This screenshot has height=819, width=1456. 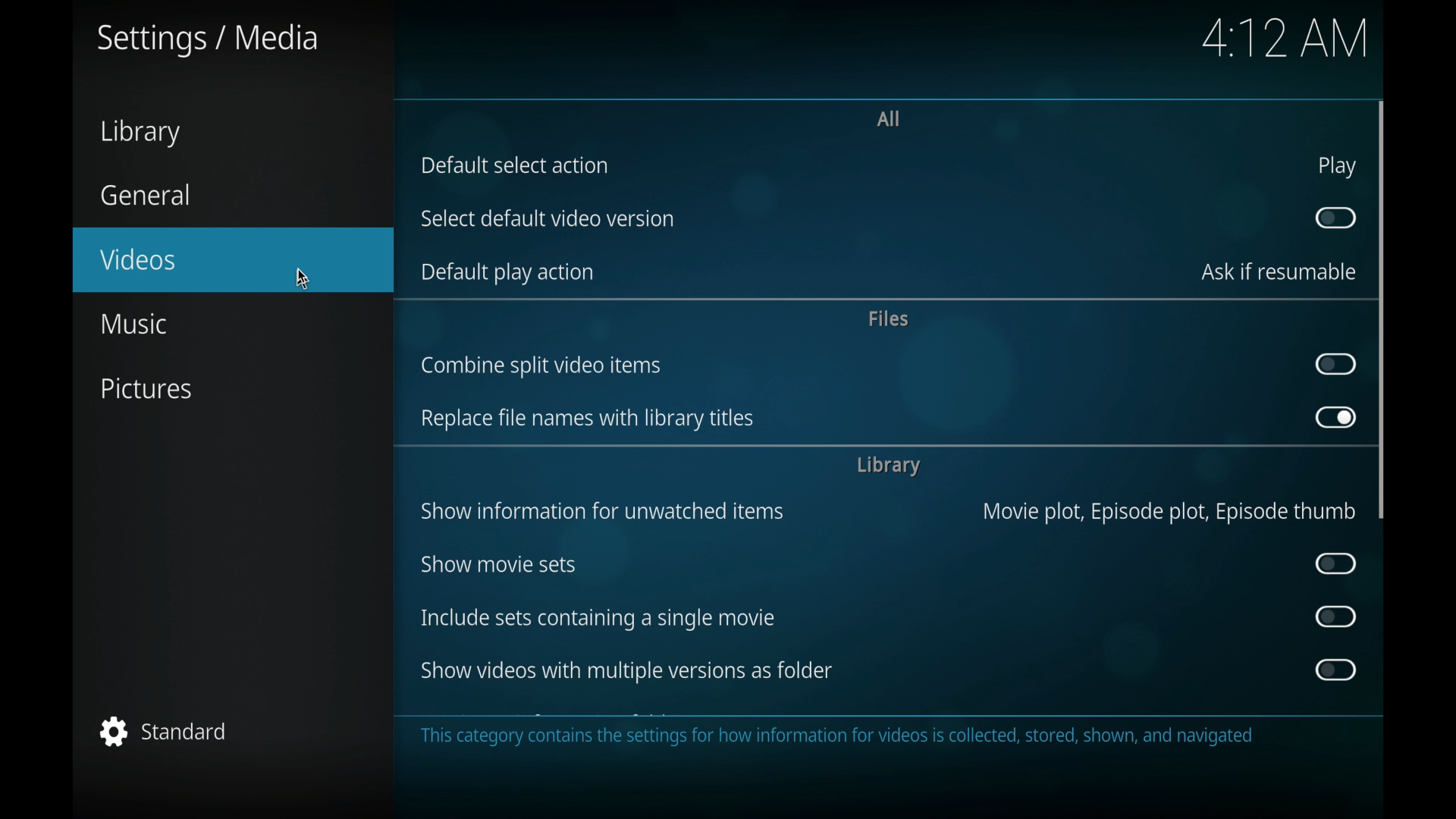 I want to click on library, so click(x=889, y=466).